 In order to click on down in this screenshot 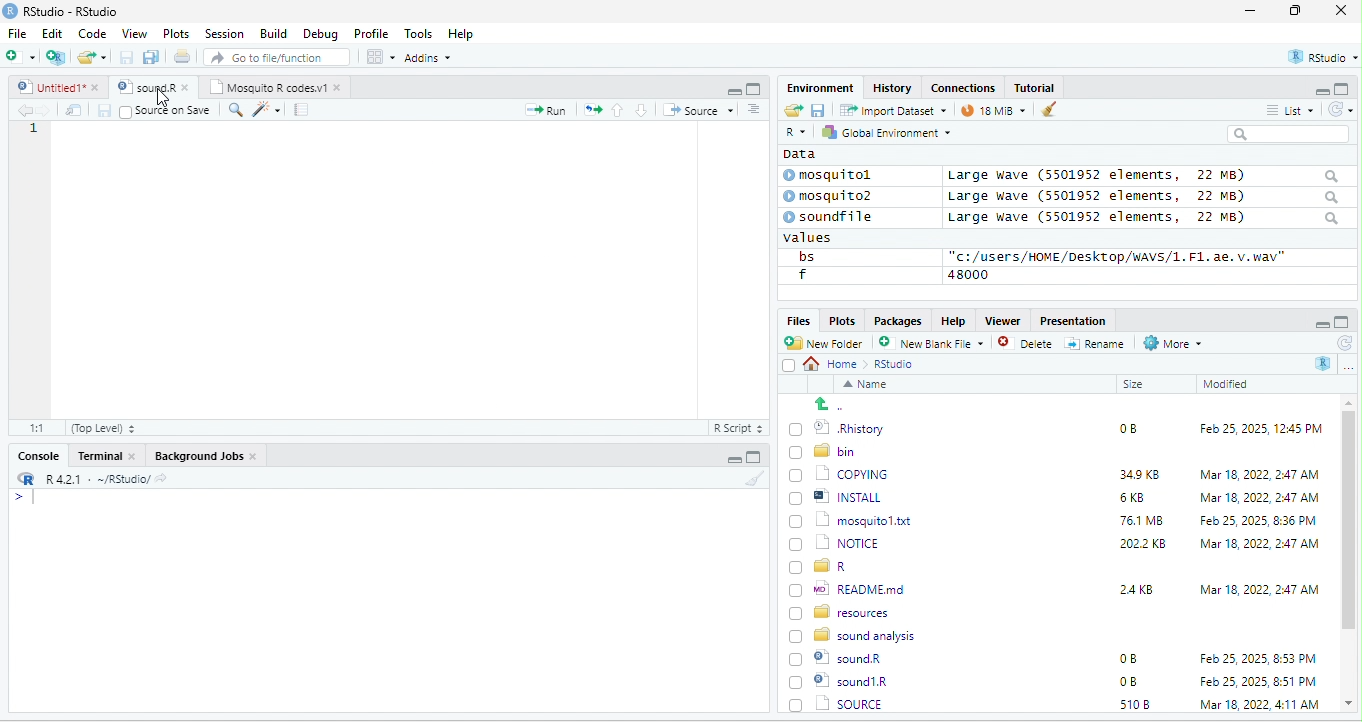, I will do `click(642, 109)`.